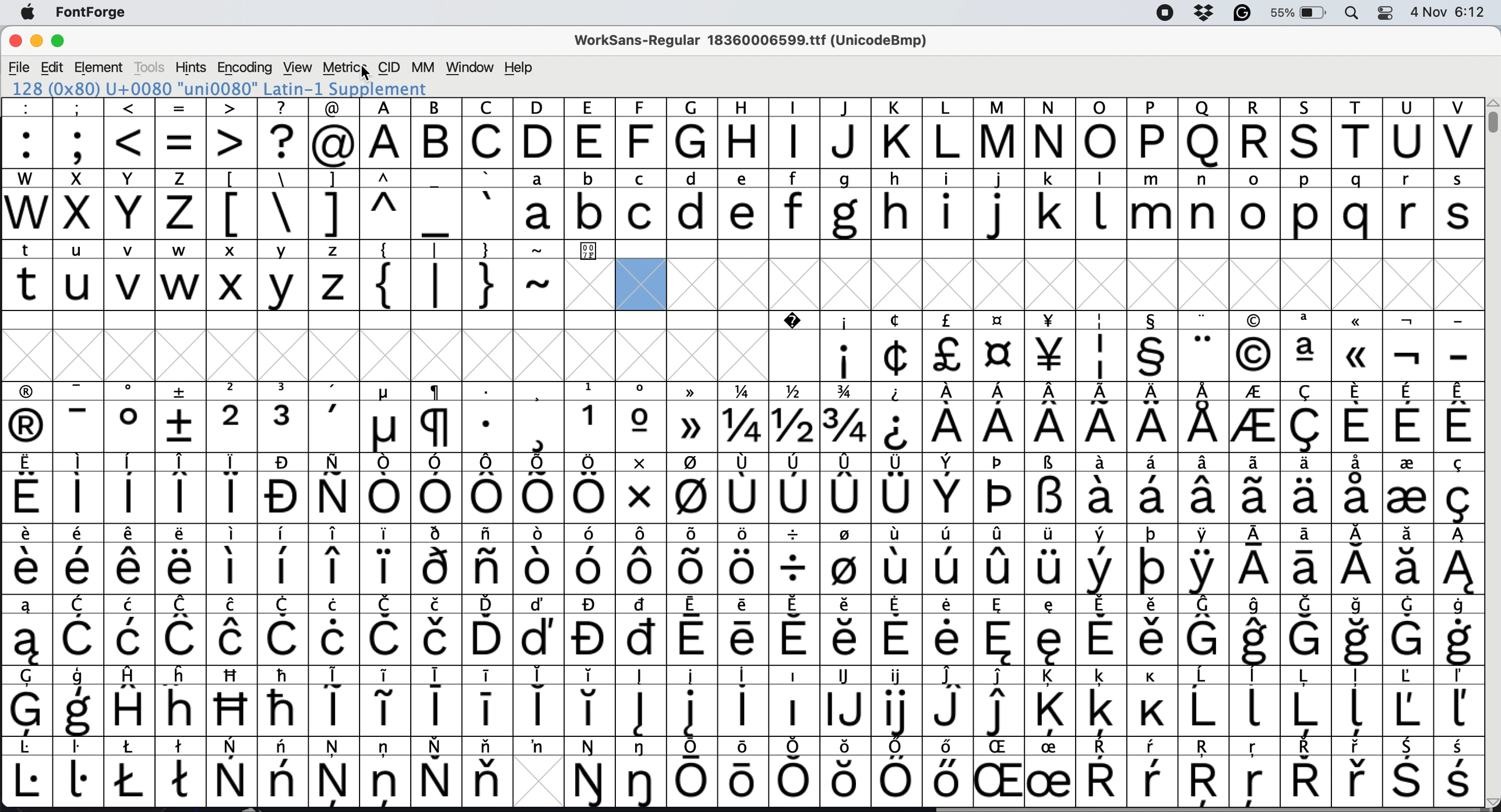 This screenshot has width=1501, height=812. I want to click on dropbox, so click(1208, 11).